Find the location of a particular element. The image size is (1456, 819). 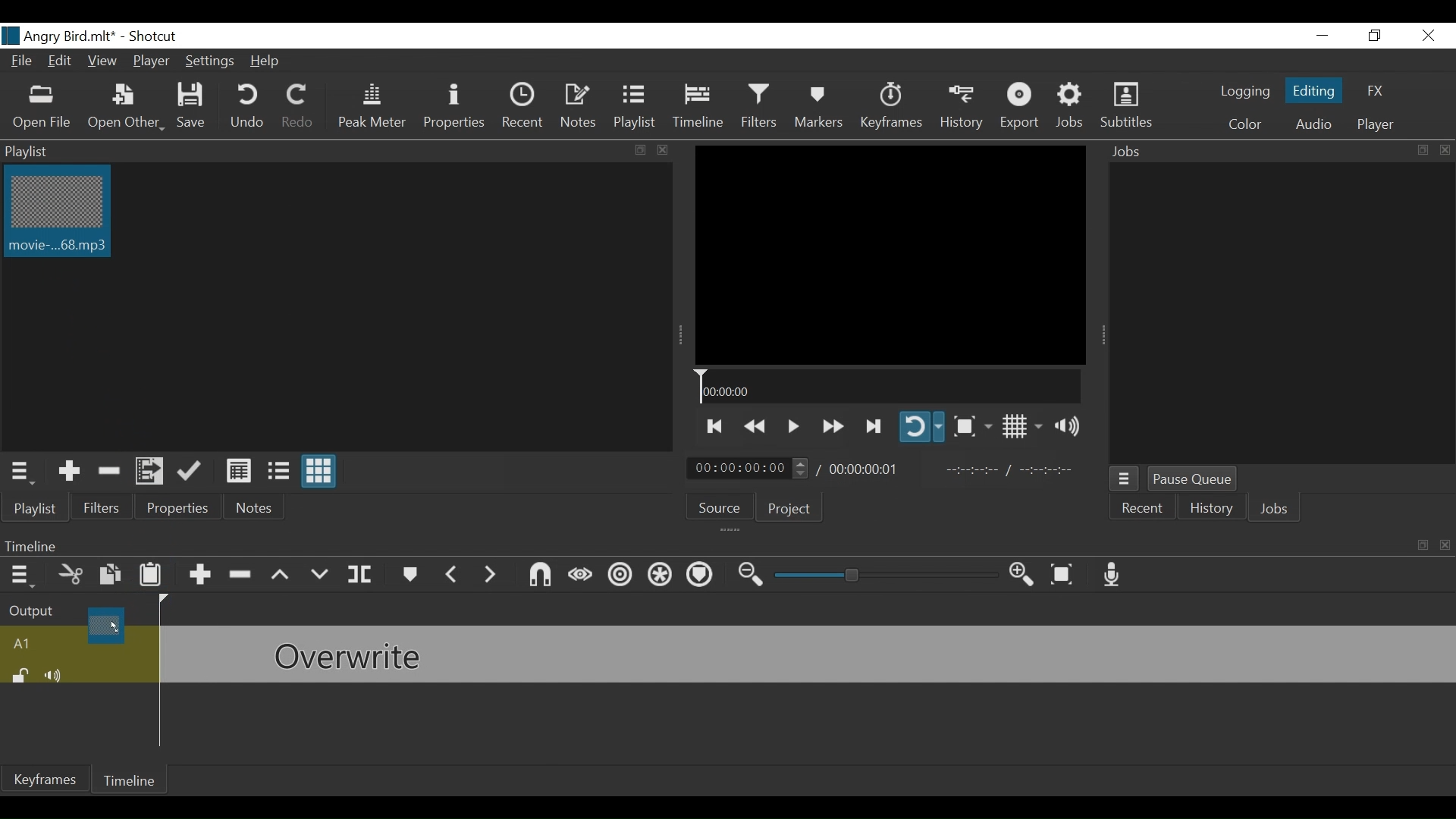

Total Duration is located at coordinates (868, 468).